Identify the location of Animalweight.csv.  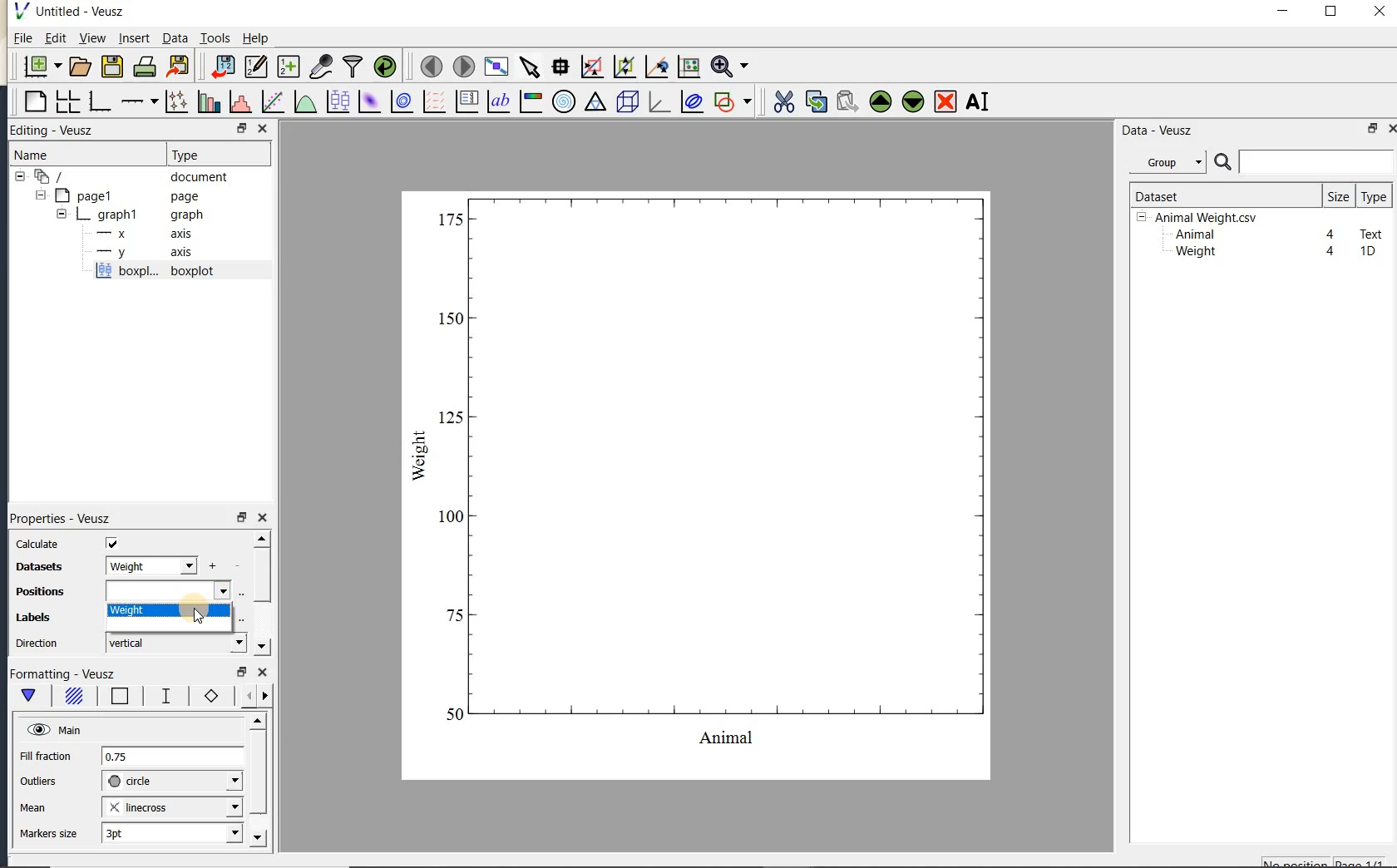
(1201, 218).